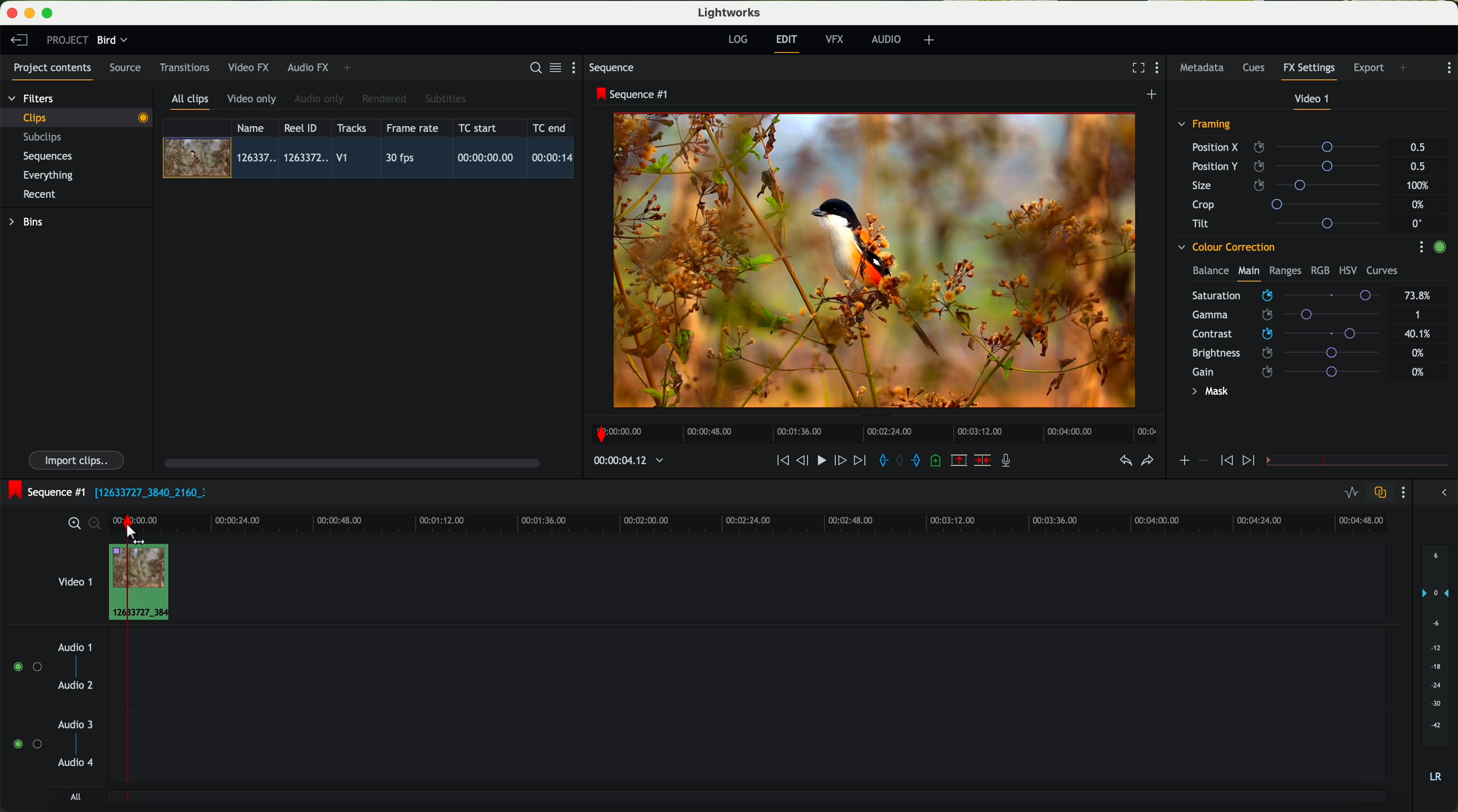 The width and height of the screenshot is (1458, 812). Describe the element at coordinates (251, 67) in the screenshot. I see `video FX` at that location.